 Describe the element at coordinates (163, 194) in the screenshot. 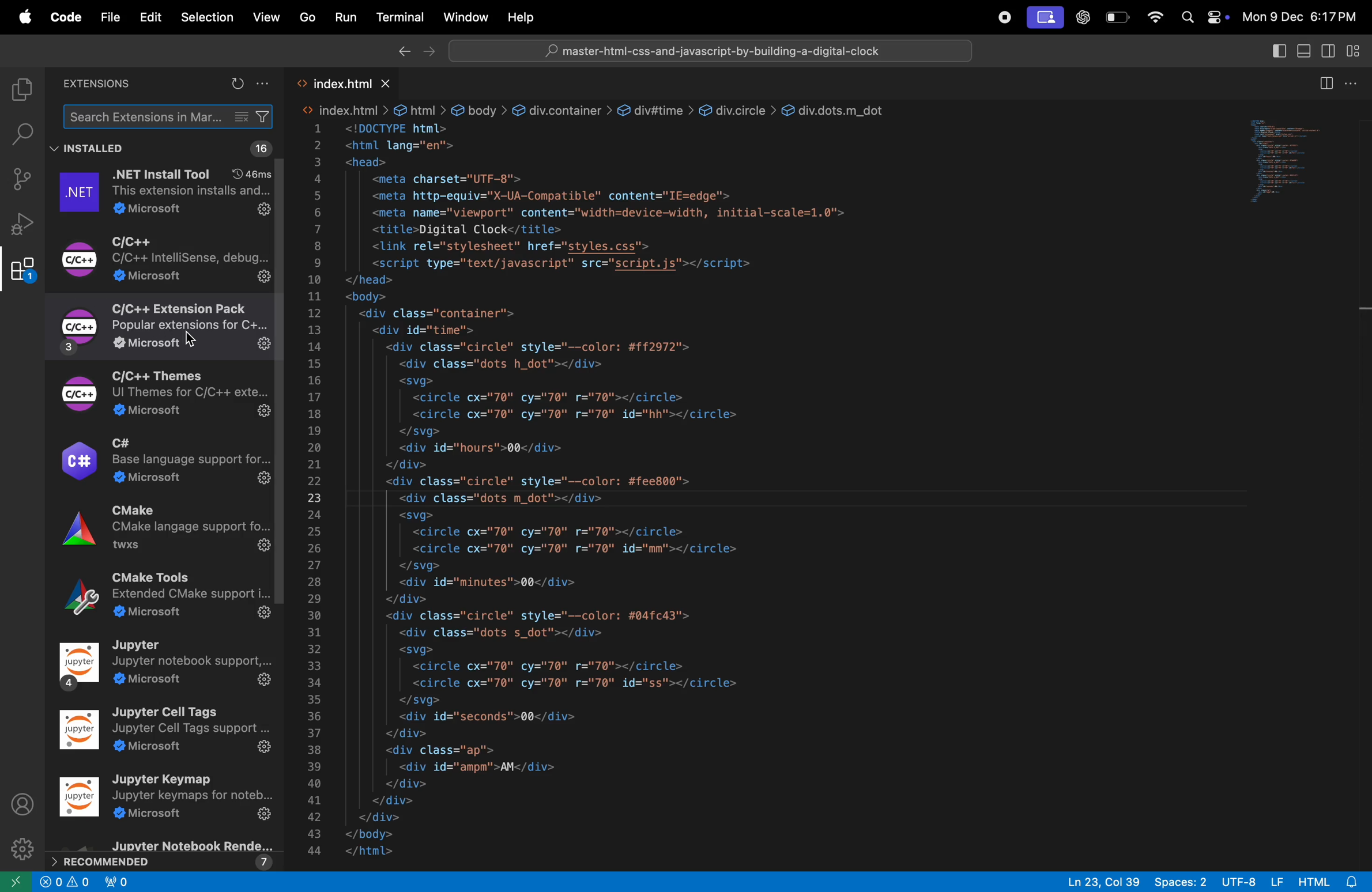

I see `.net extensions` at that location.